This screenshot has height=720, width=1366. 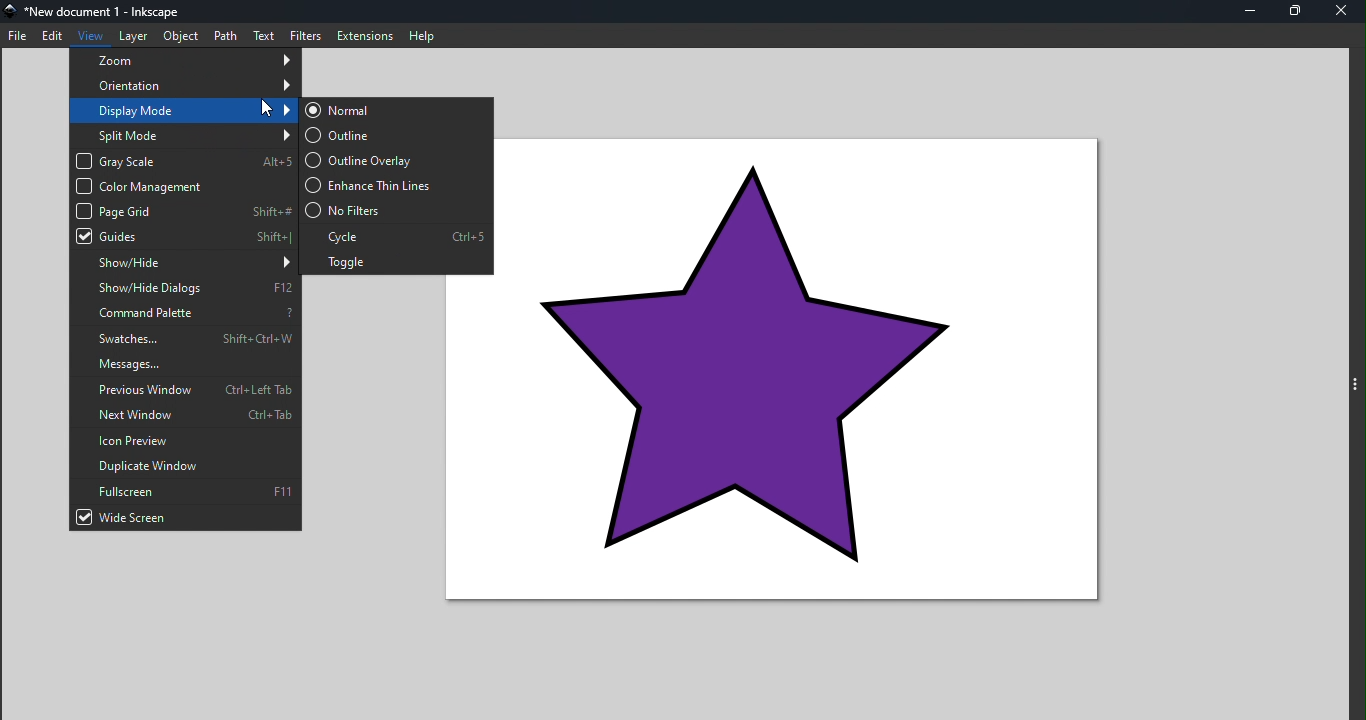 What do you see at coordinates (188, 366) in the screenshot?
I see `Messages` at bounding box center [188, 366].